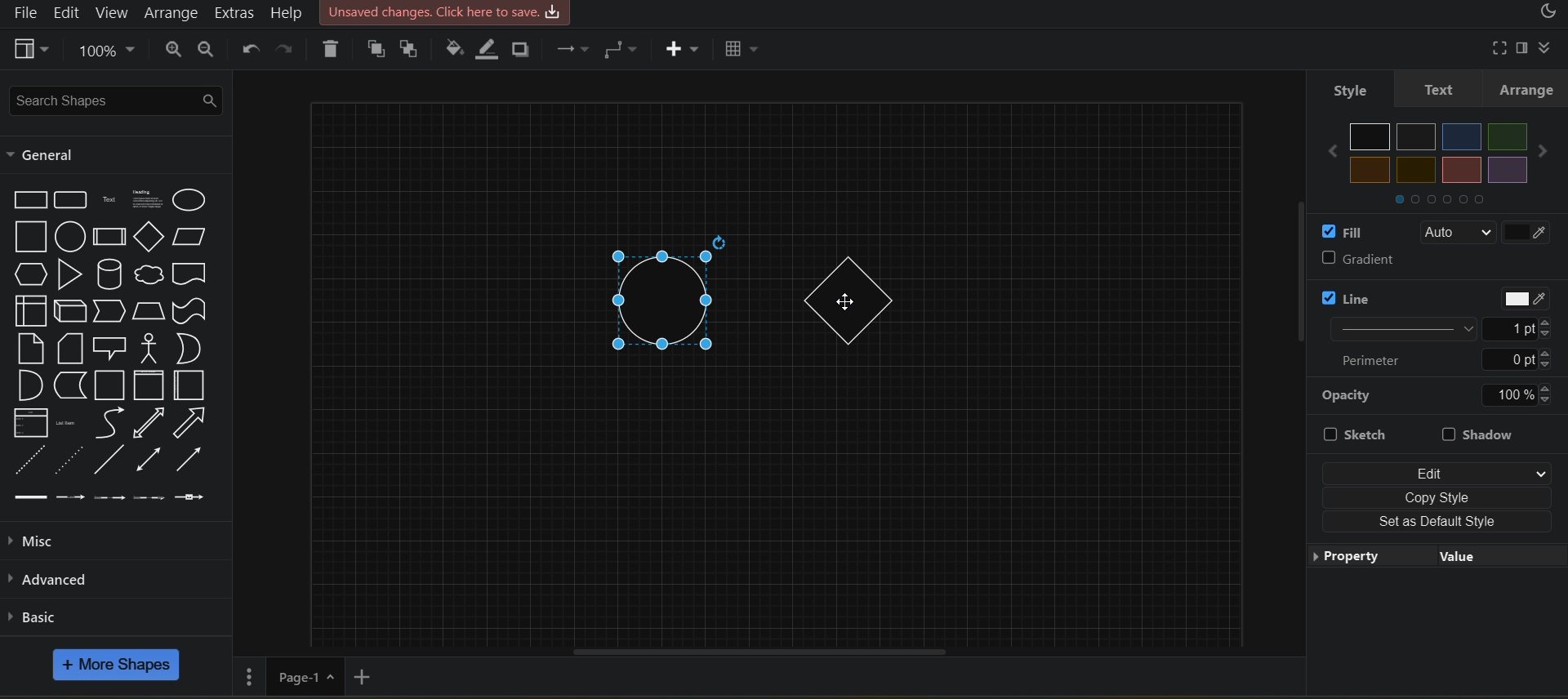  Describe the element at coordinates (149, 347) in the screenshot. I see `Actor` at that location.